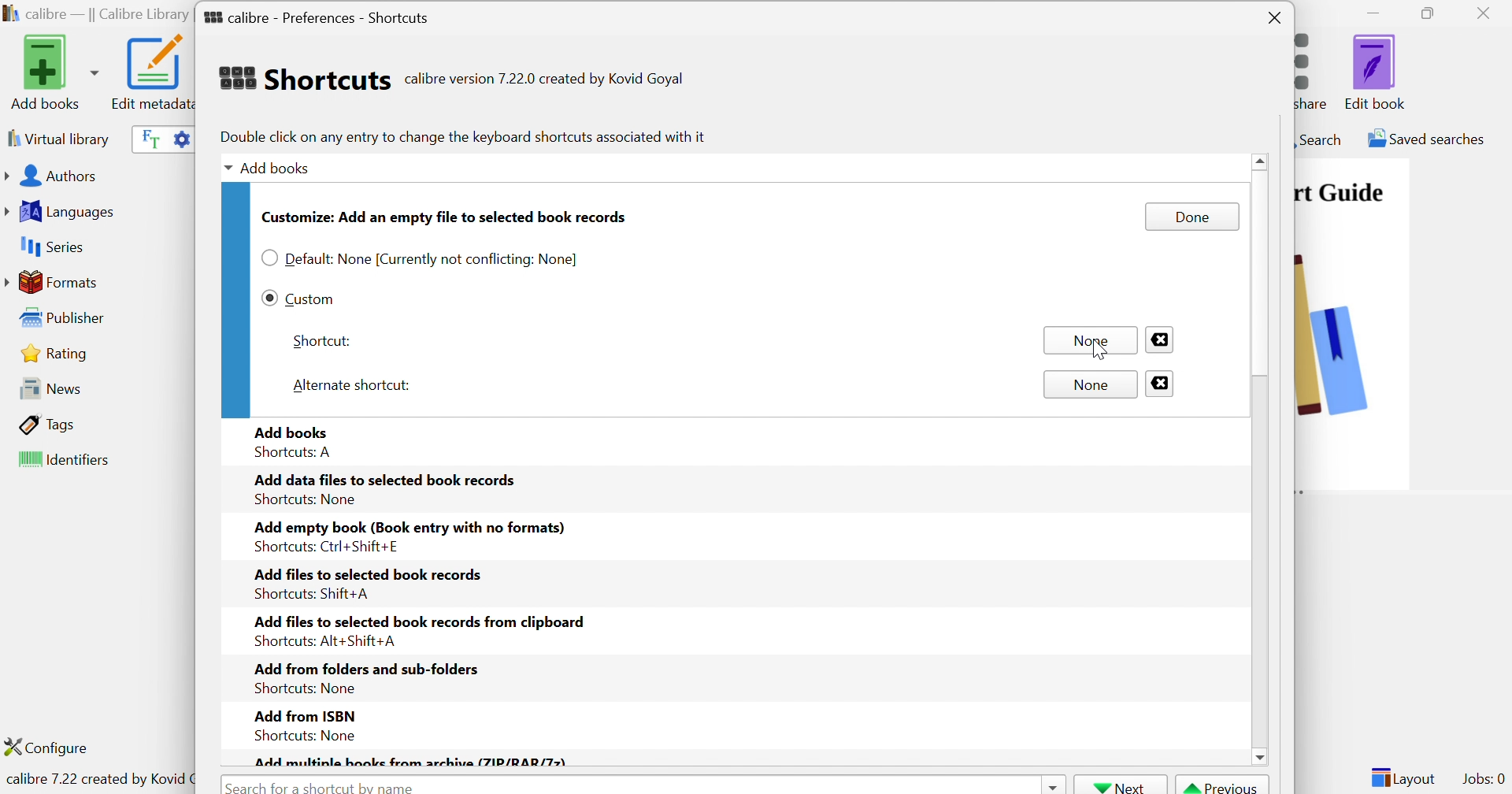 This screenshot has width=1512, height=794. Describe the element at coordinates (1121, 785) in the screenshot. I see `Next` at that location.